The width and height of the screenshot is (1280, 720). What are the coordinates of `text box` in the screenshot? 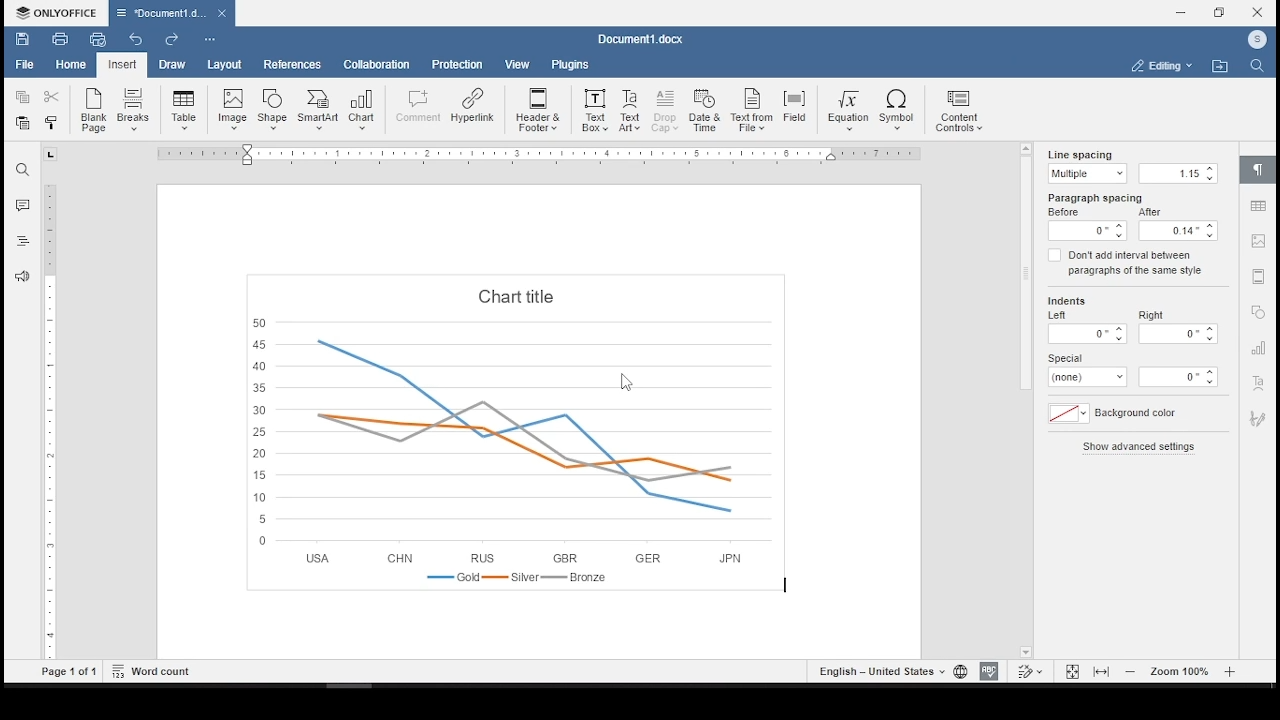 It's located at (595, 108).